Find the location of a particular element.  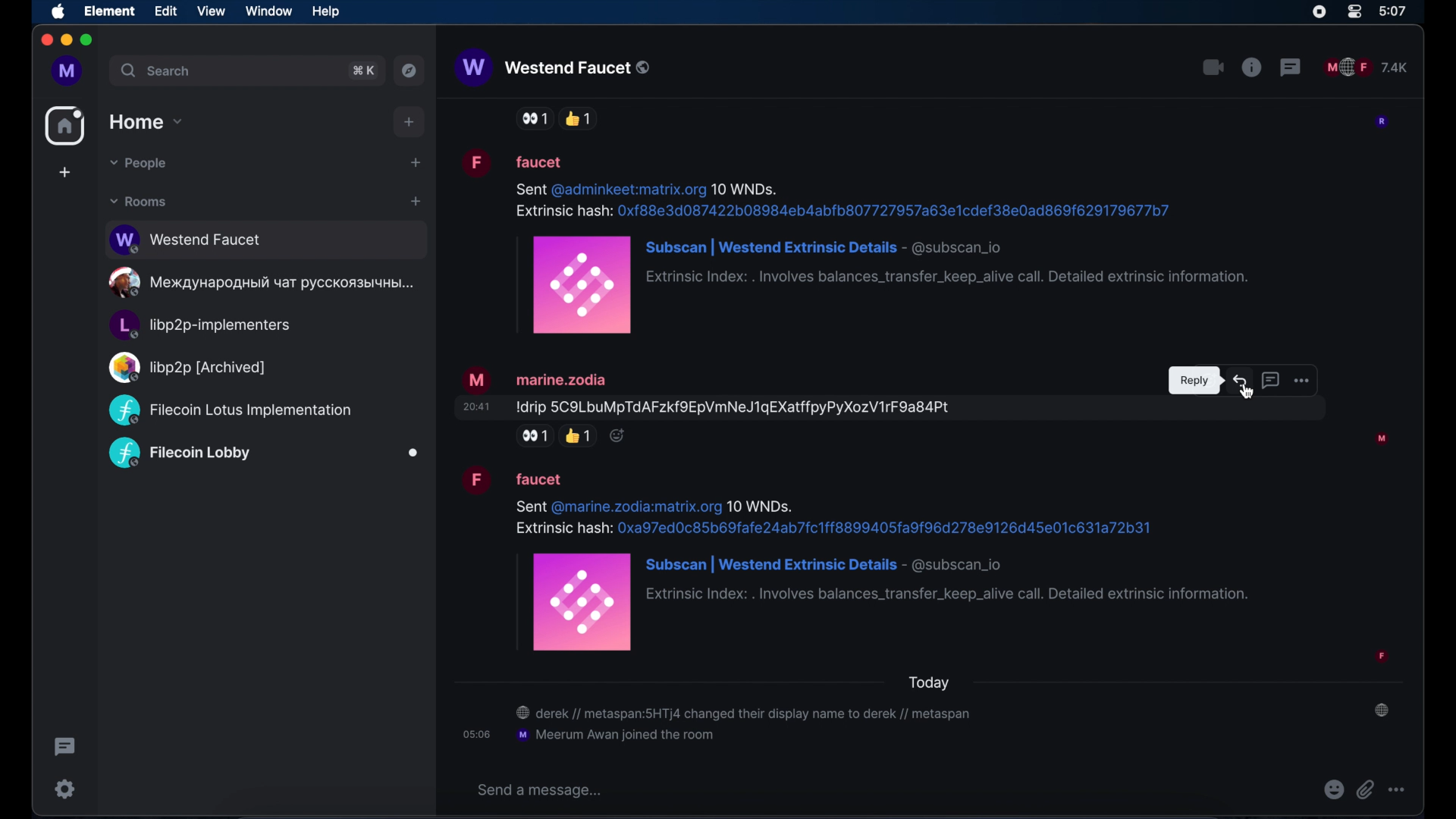

thread activity is located at coordinates (64, 747).